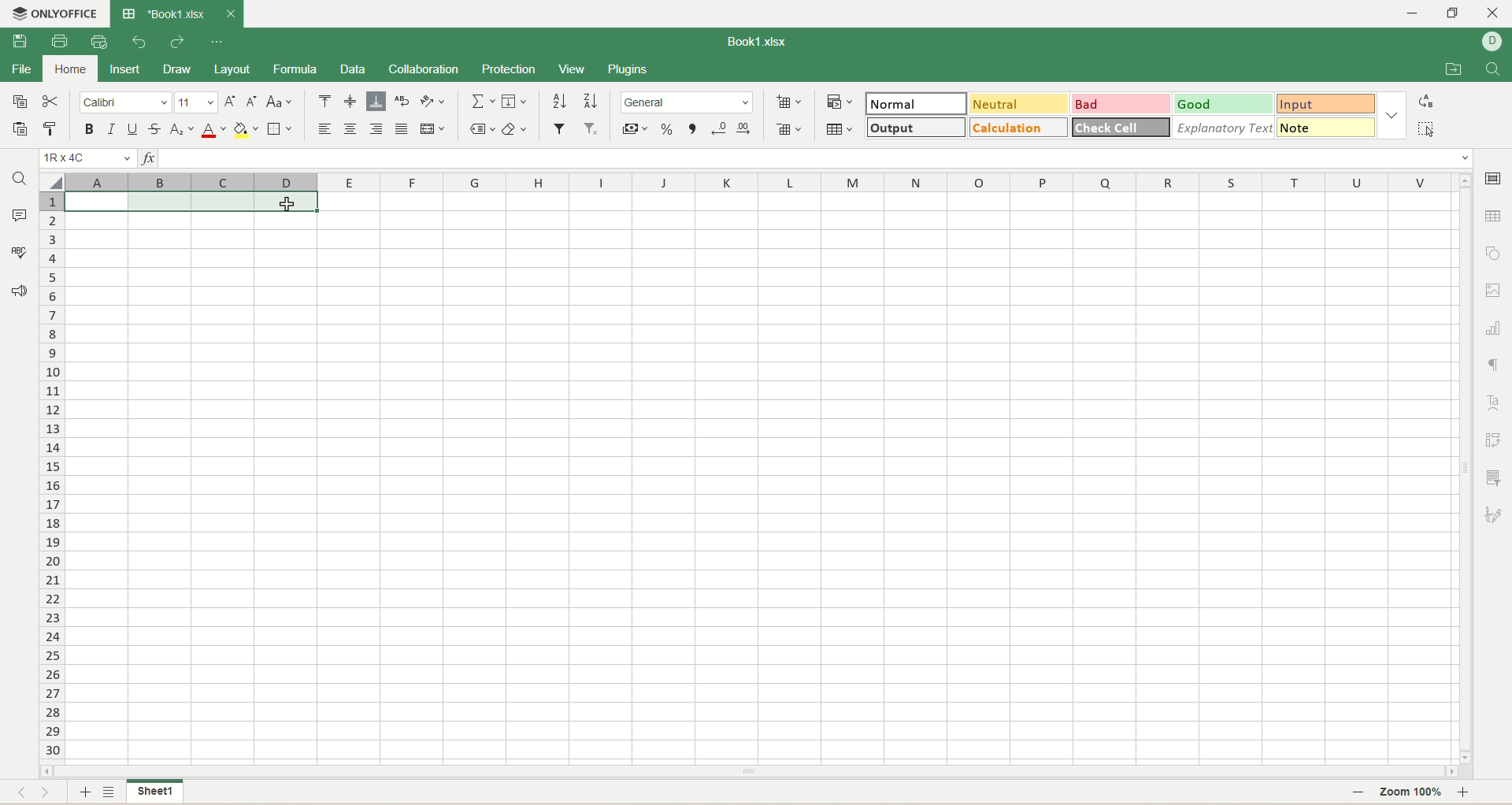 This screenshot has width=1512, height=805. Describe the element at coordinates (124, 69) in the screenshot. I see `insert` at that location.